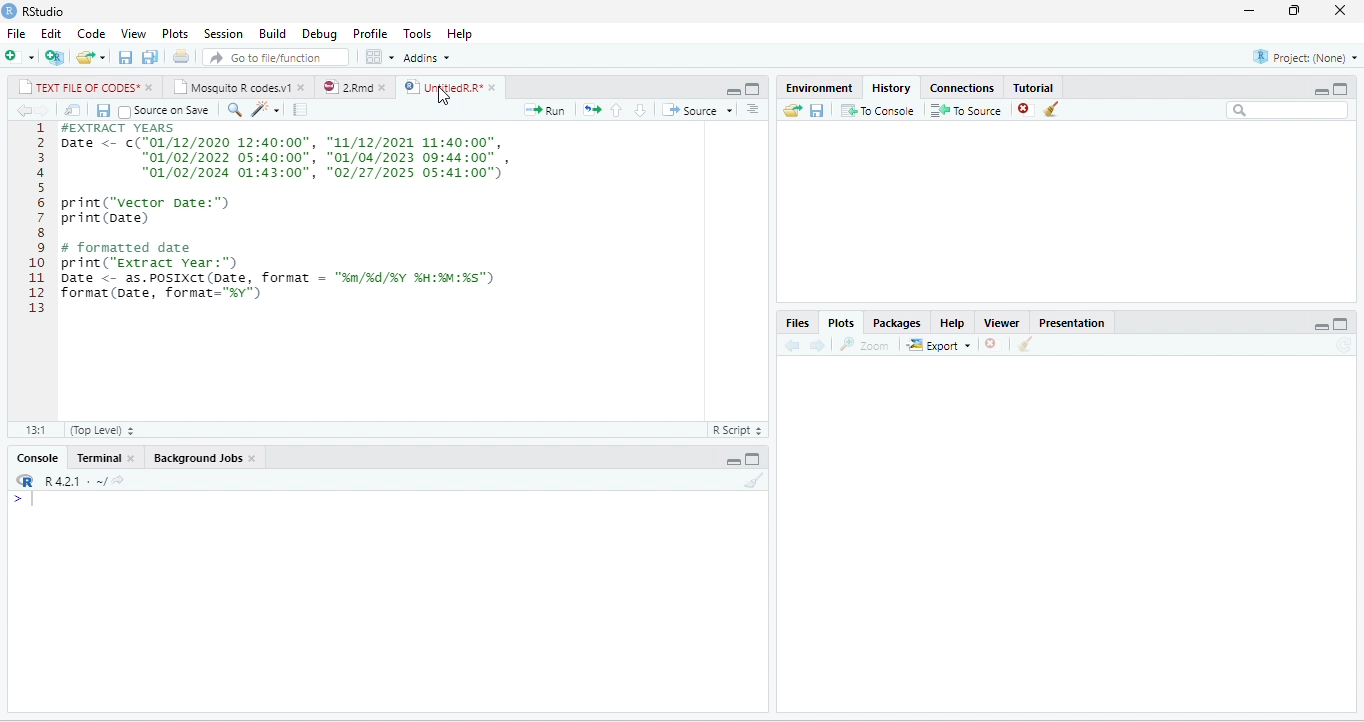 This screenshot has width=1364, height=722. What do you see at coordinates (132, 457) in the screenshot?
I see `close` at bounding box center [132, 457].